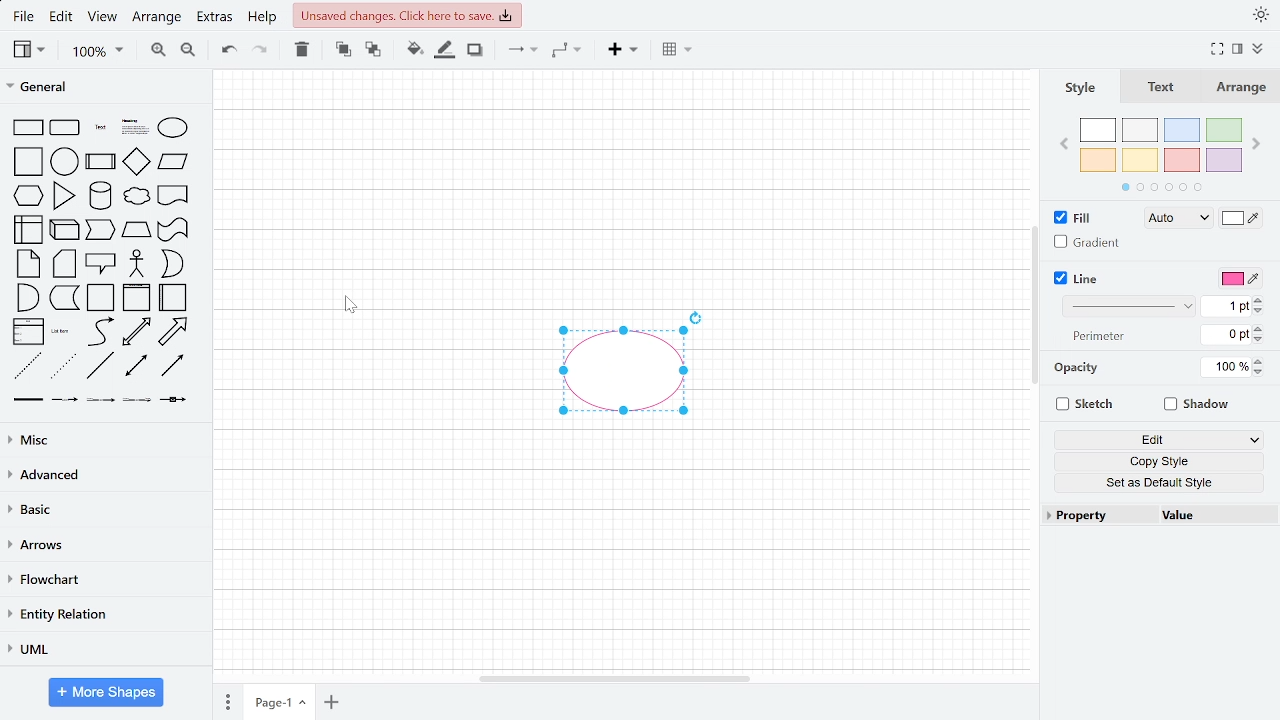 This screenshot has height=720, width=1280. Describe the element at coordinates (28, 128) in the screenshot. I see `rectangle` at that location.